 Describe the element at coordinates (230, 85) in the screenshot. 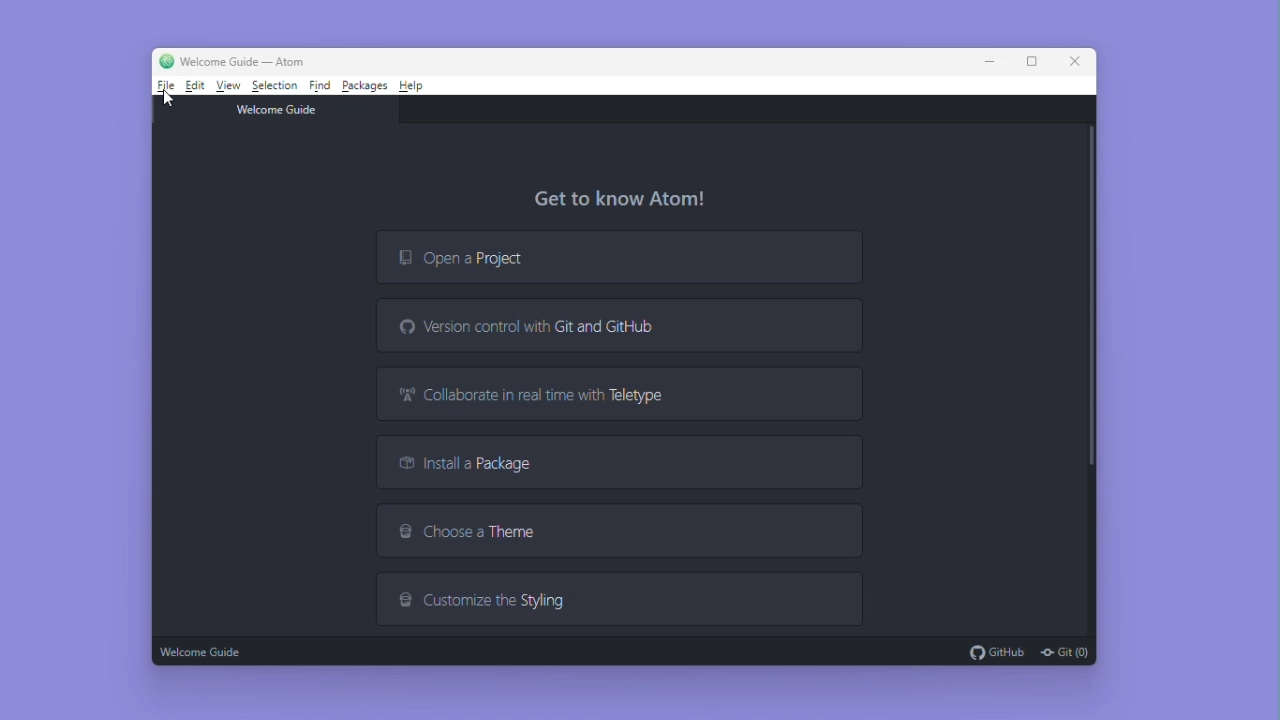

I see `View` at that location.